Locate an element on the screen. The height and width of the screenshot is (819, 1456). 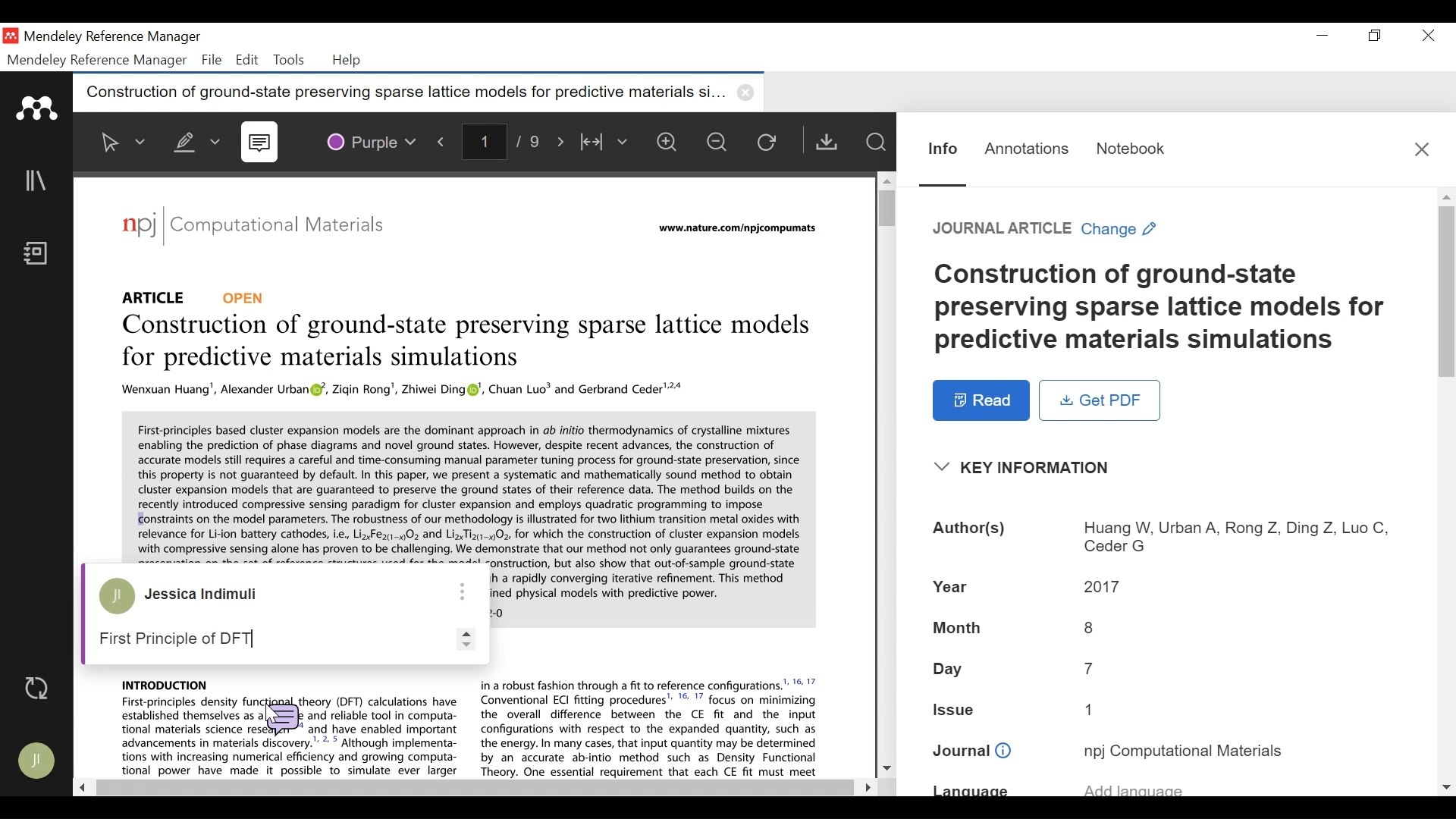
Authors is located at coordinates (1166, 536).